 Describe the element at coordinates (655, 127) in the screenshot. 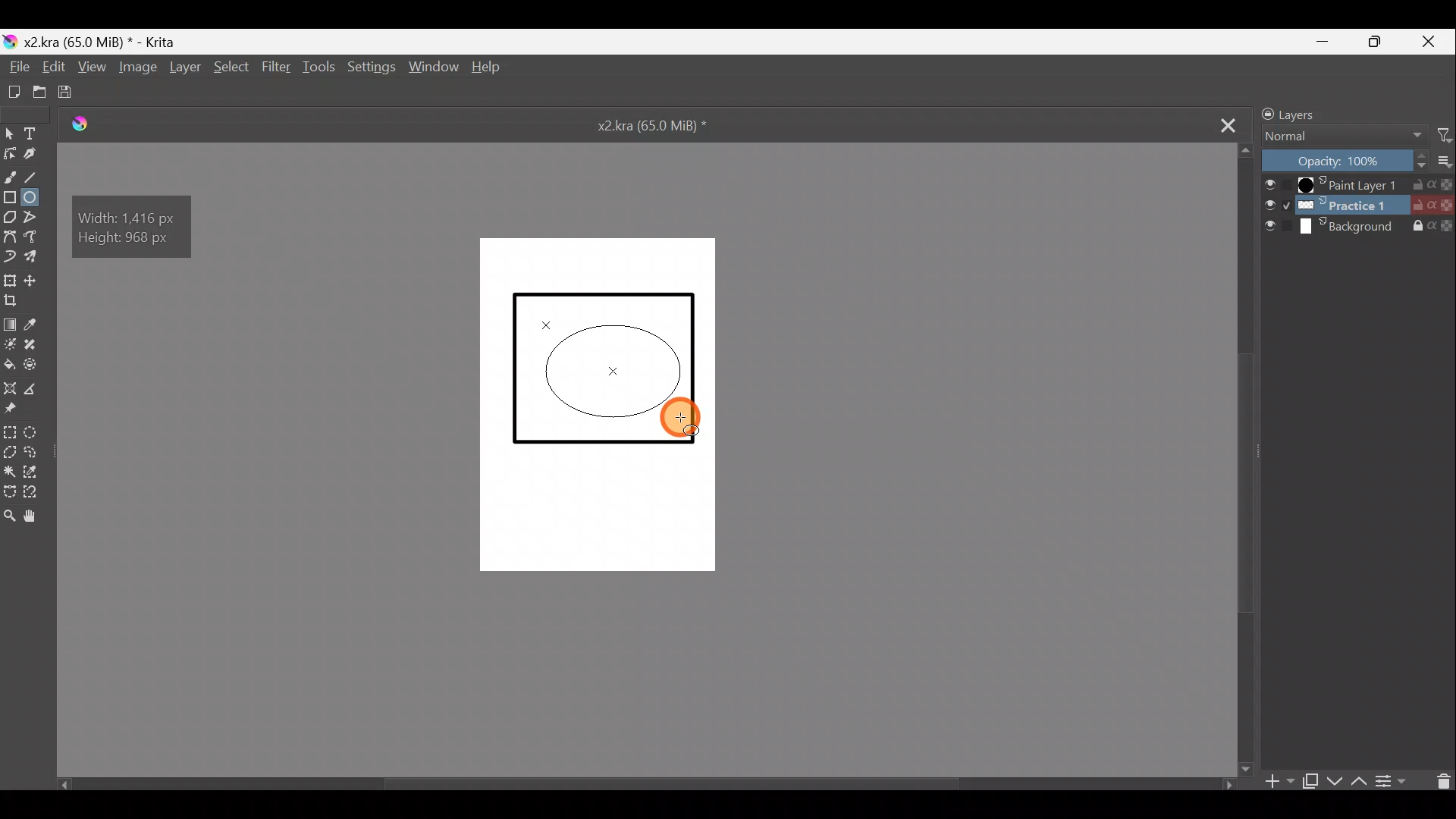

I see `x2.kra (65.0 MiB) *` at that location.